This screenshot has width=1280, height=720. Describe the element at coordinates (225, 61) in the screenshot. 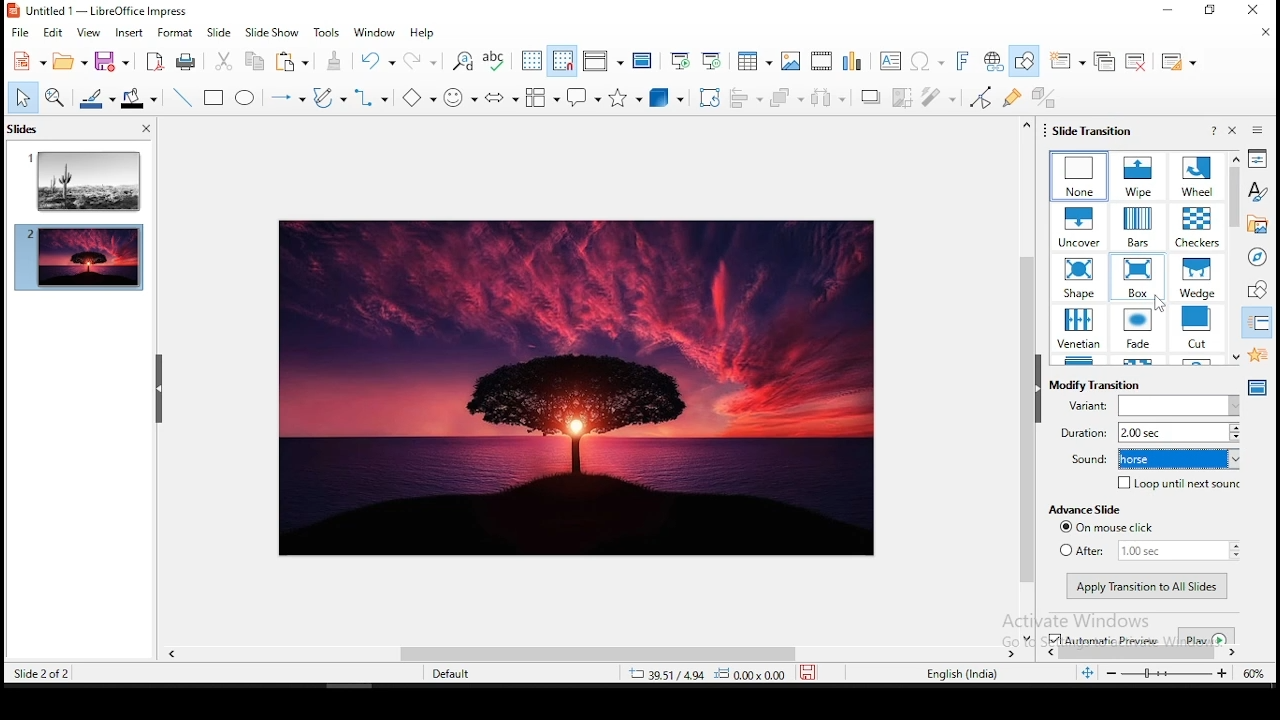

I see `cut` at that location.